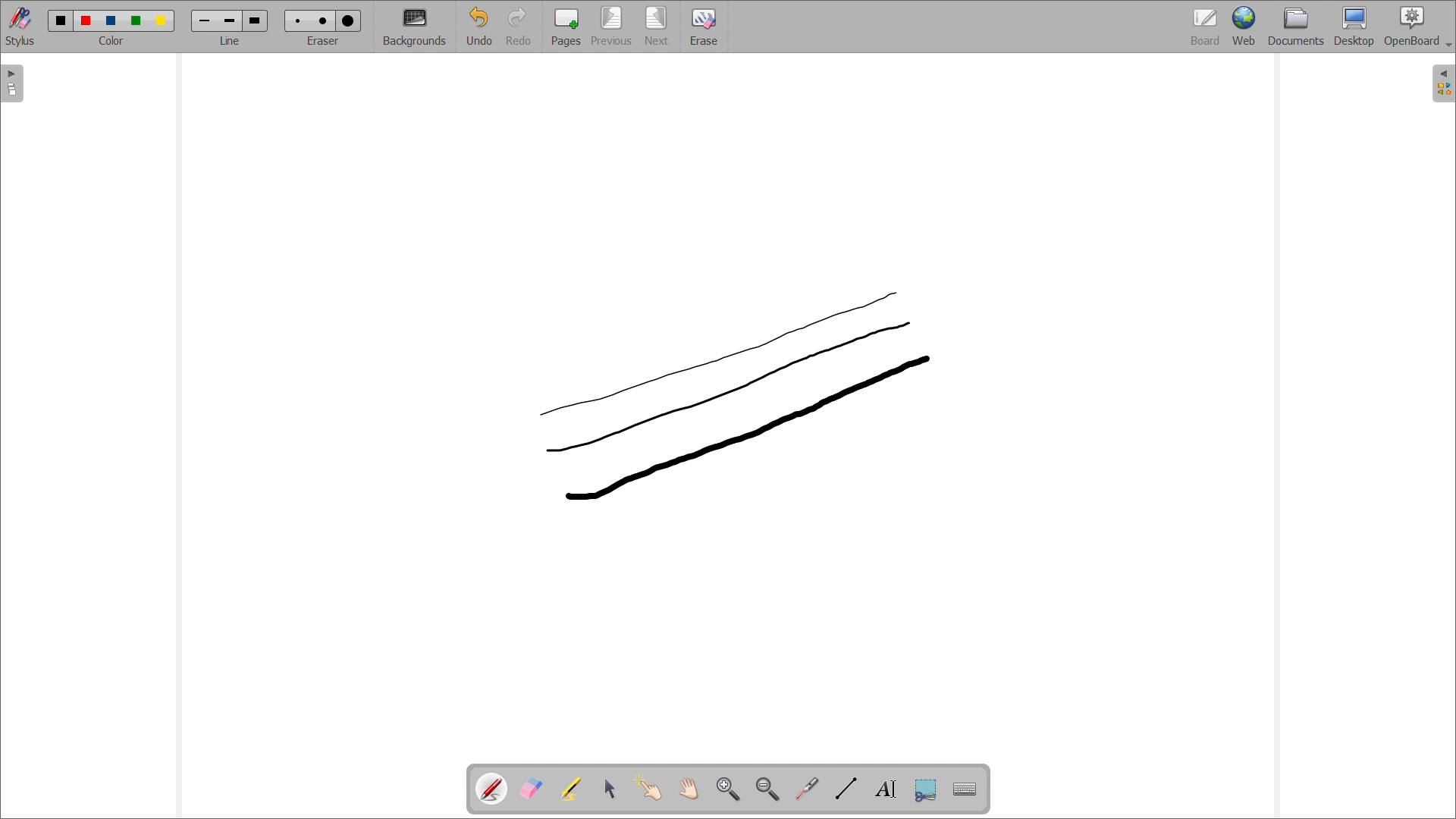  Describe the element at coordinates (729, 789) in the screenshot. I see `zoom in` at that location.